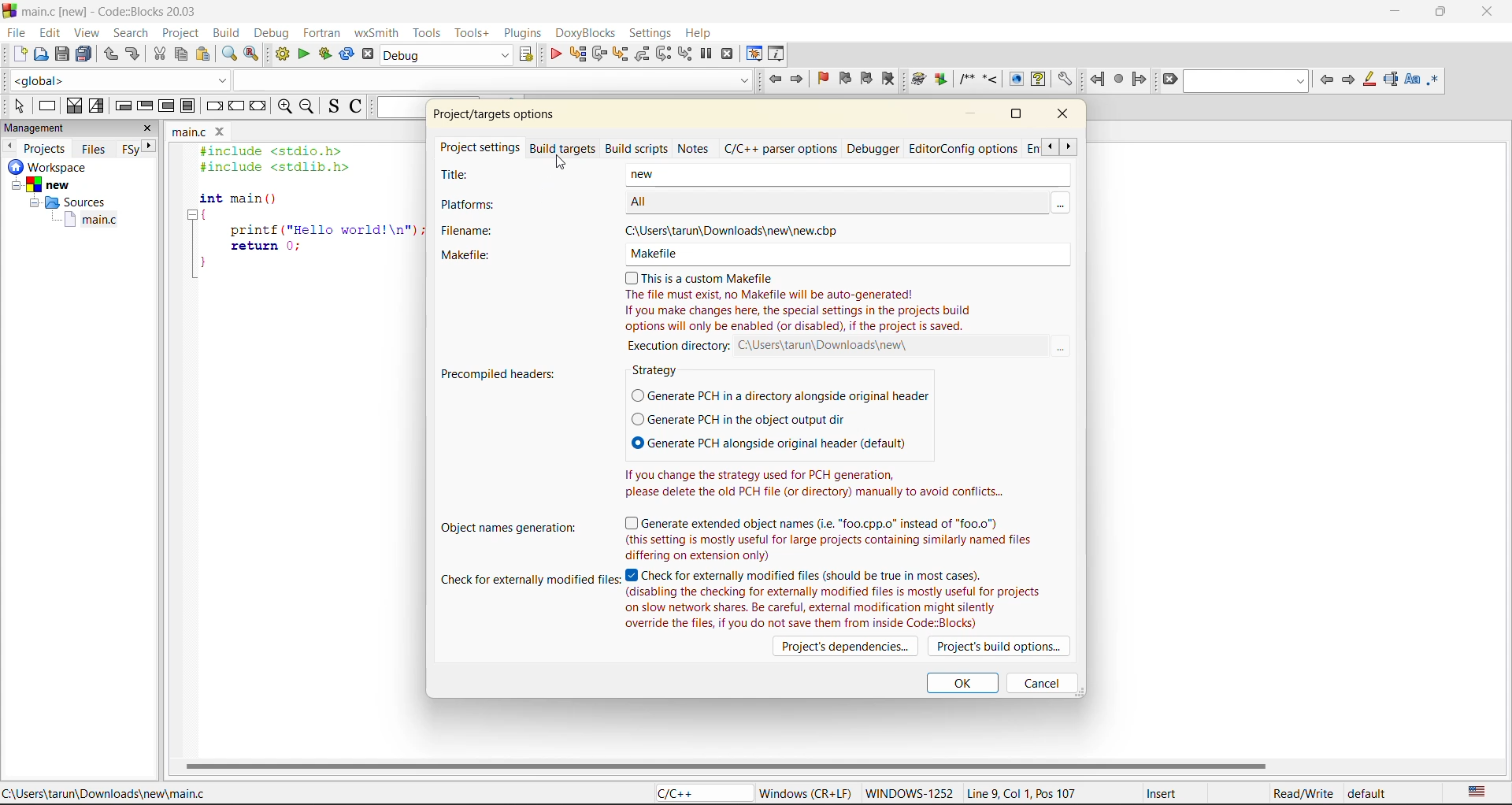  I want to click on step into instruction, so click(686, 54).